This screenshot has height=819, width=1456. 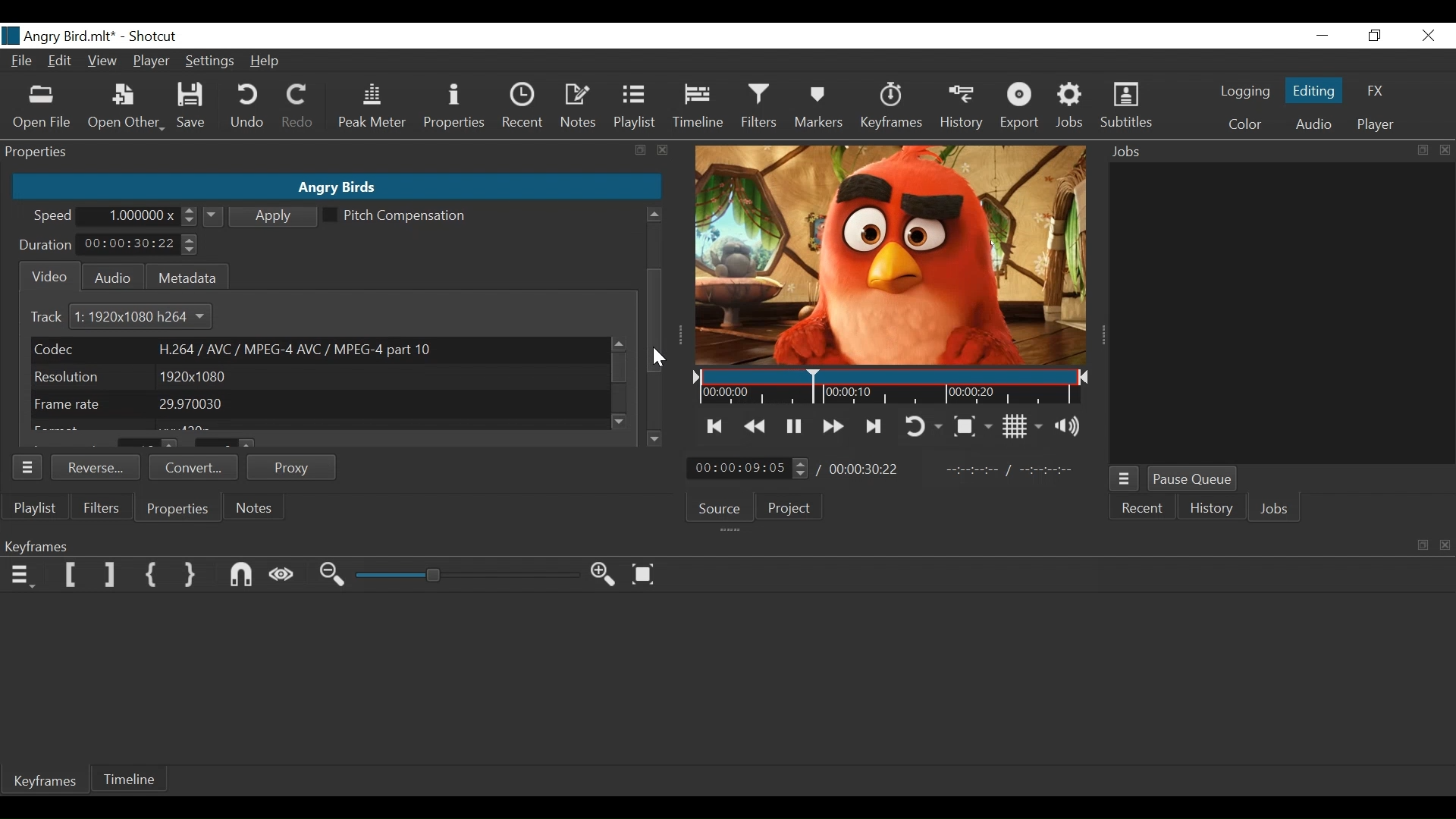 I want to click on Zoom slider, so click(x=467, y=576).